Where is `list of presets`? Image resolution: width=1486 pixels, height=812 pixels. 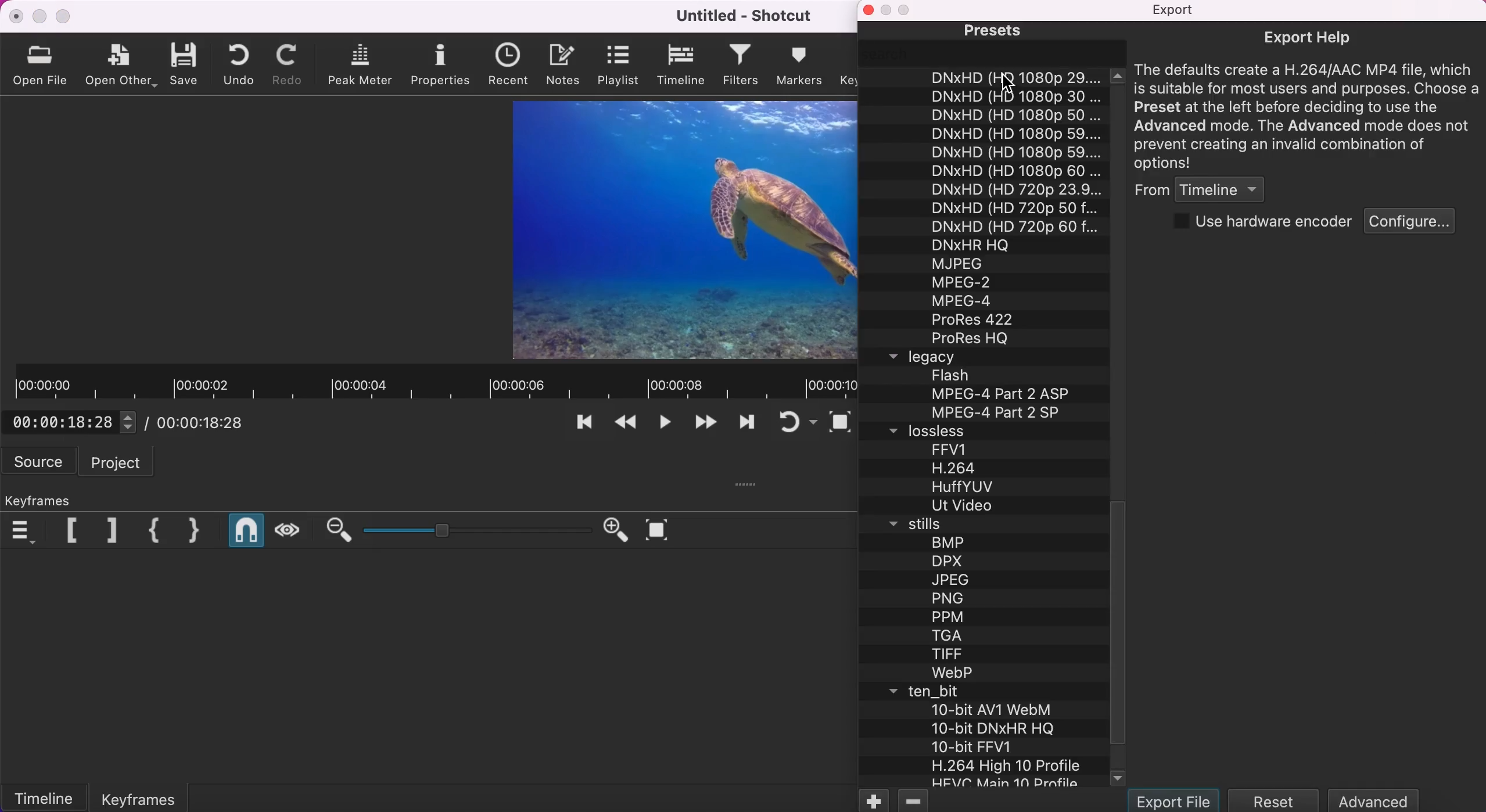 list of presets is located at coordinates (986, 207).